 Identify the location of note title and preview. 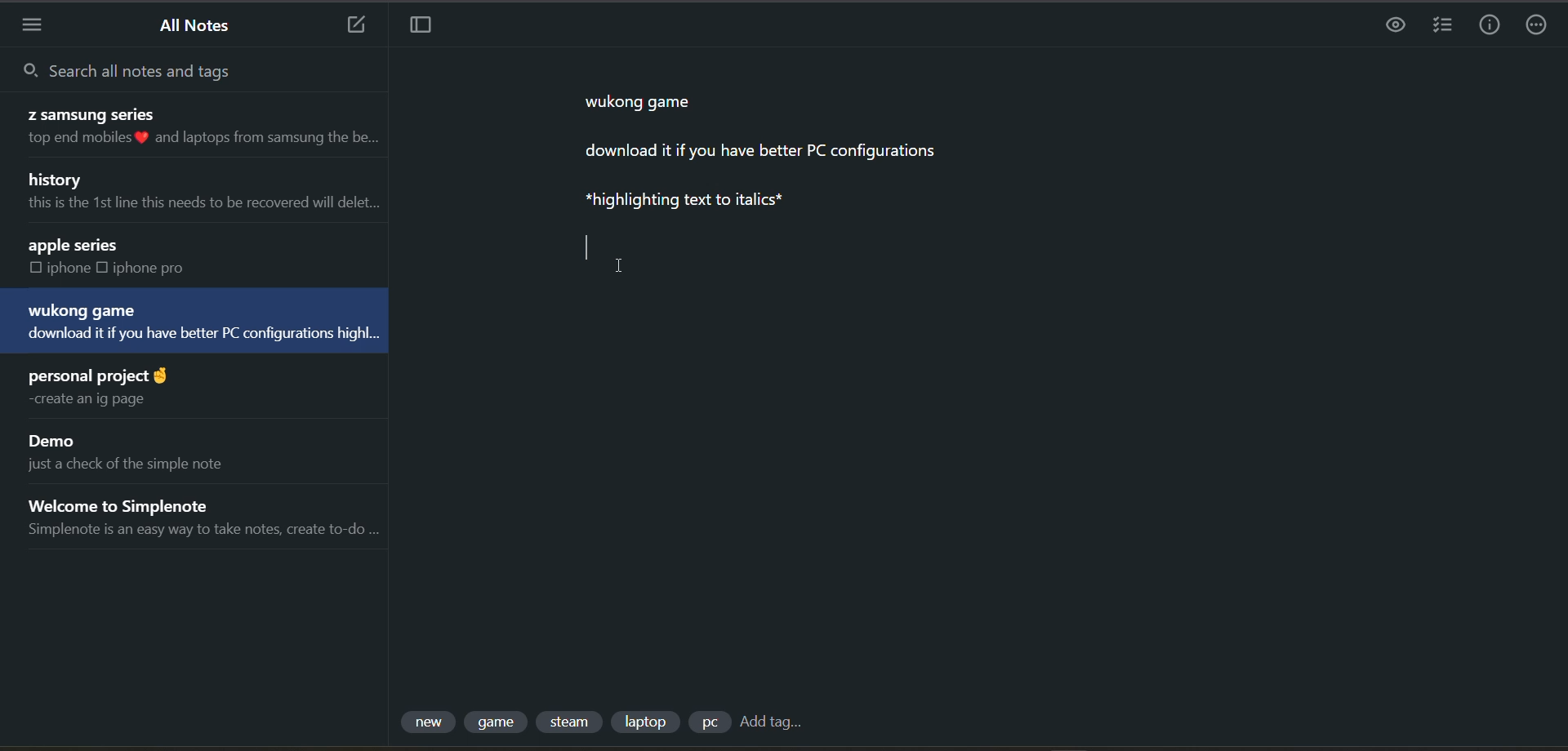
(198, 321).